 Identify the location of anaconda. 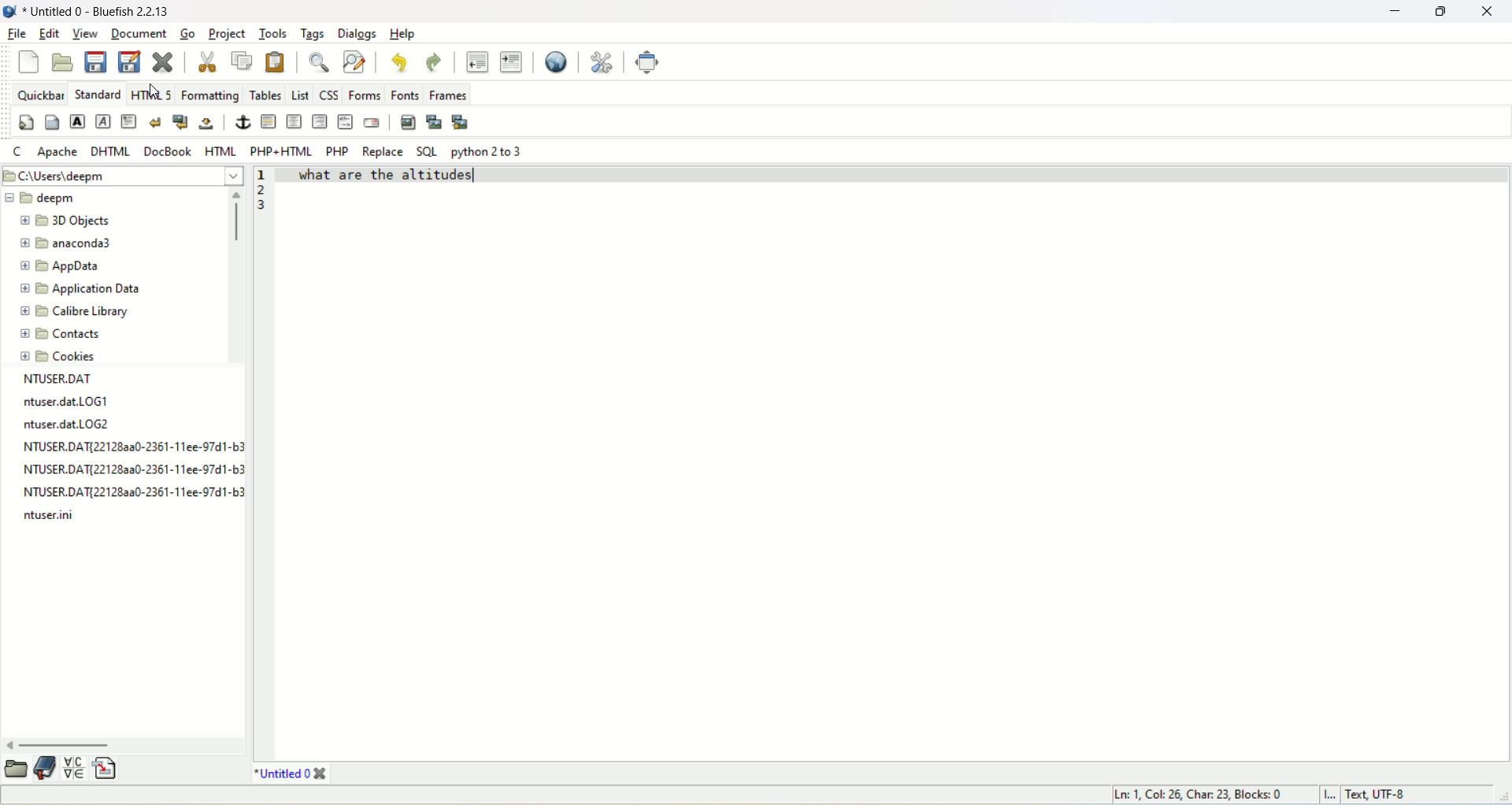
(70, 243).